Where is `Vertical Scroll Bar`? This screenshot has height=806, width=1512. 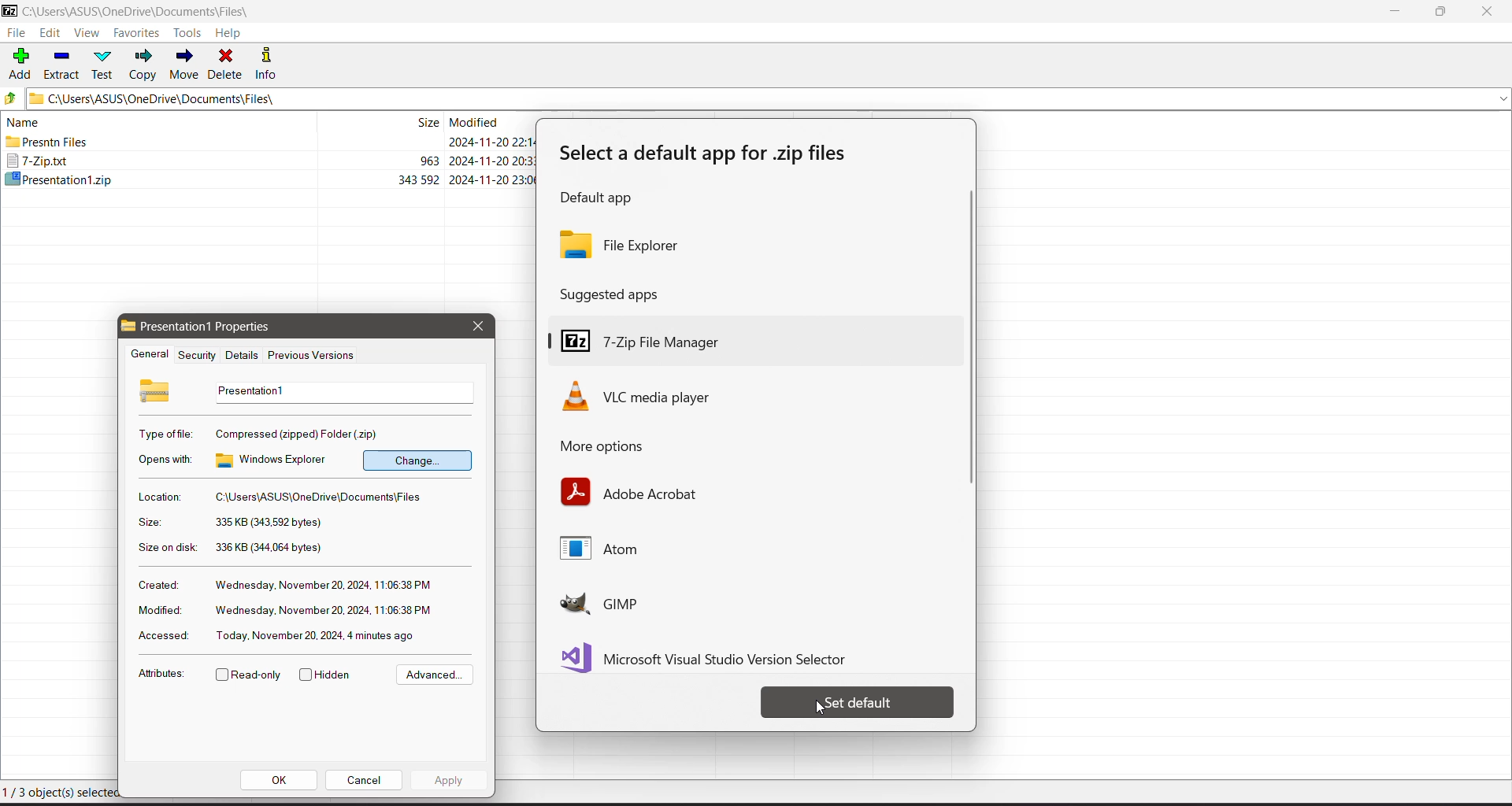
Vertical Scroll Bar is located at coordinates (967, 340).